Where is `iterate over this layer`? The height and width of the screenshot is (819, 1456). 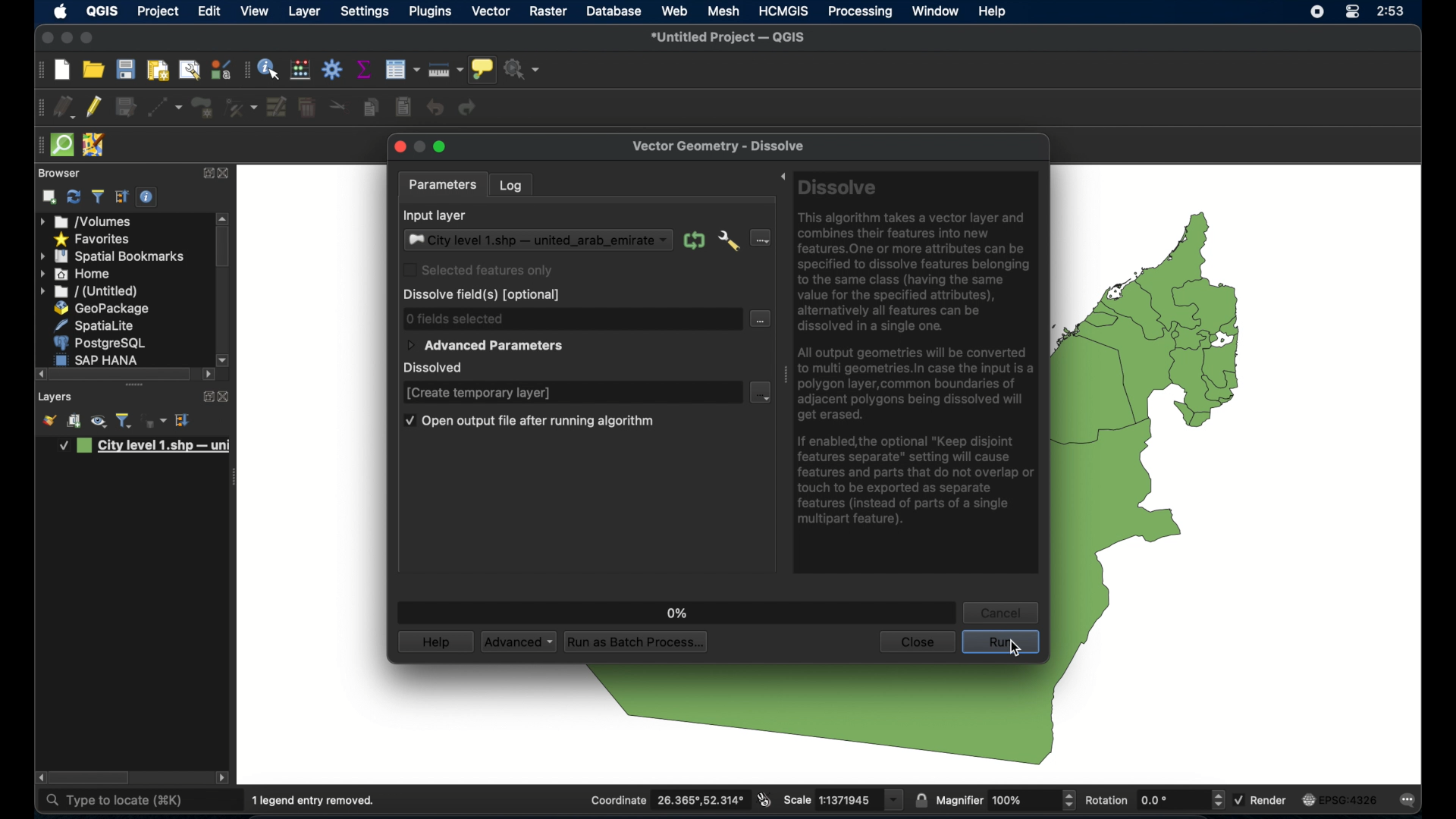 iterate over this layer is located at coordinates (694, 240).